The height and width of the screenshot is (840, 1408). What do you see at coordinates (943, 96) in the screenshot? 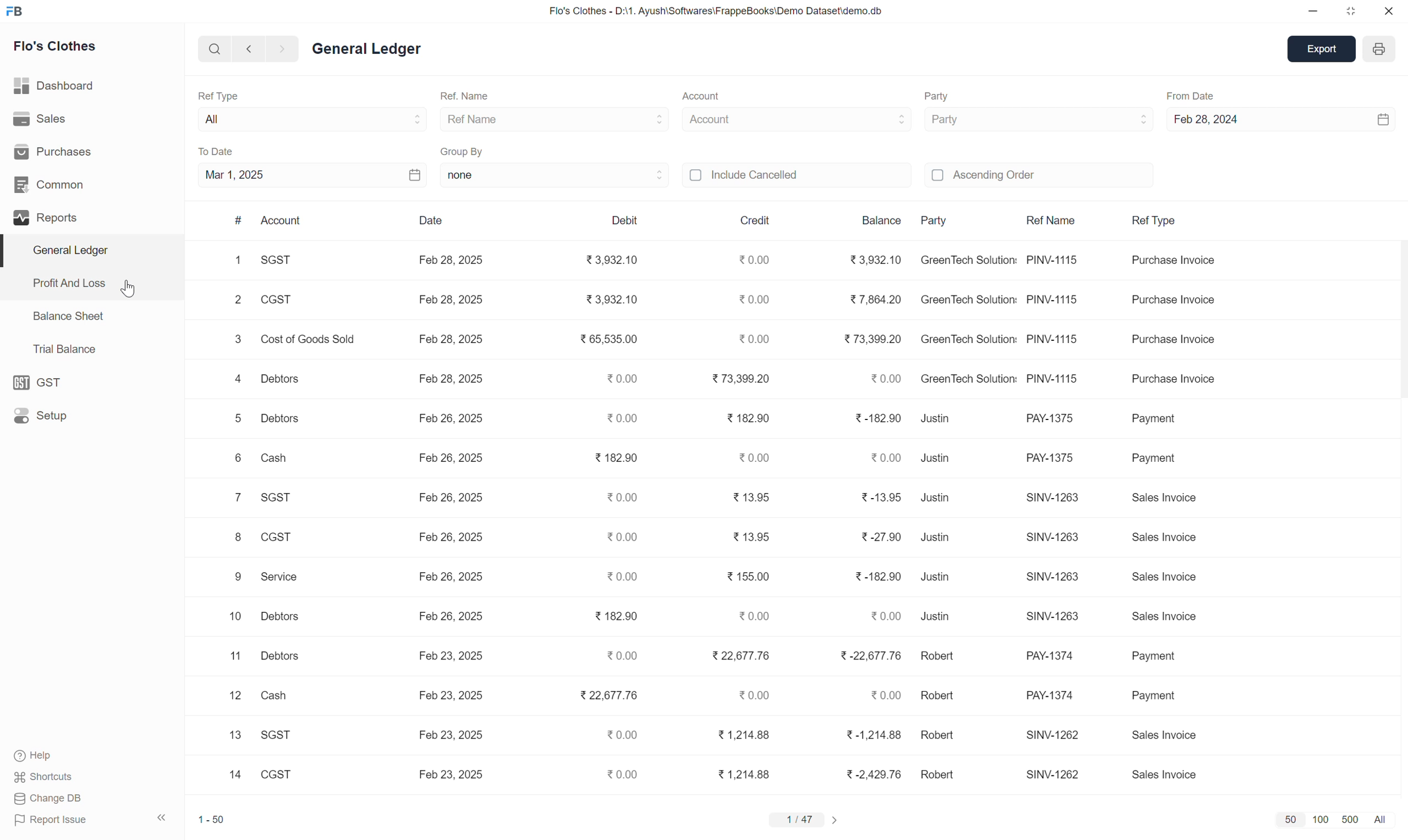
I see `Party` at bounding box center [943, 96].